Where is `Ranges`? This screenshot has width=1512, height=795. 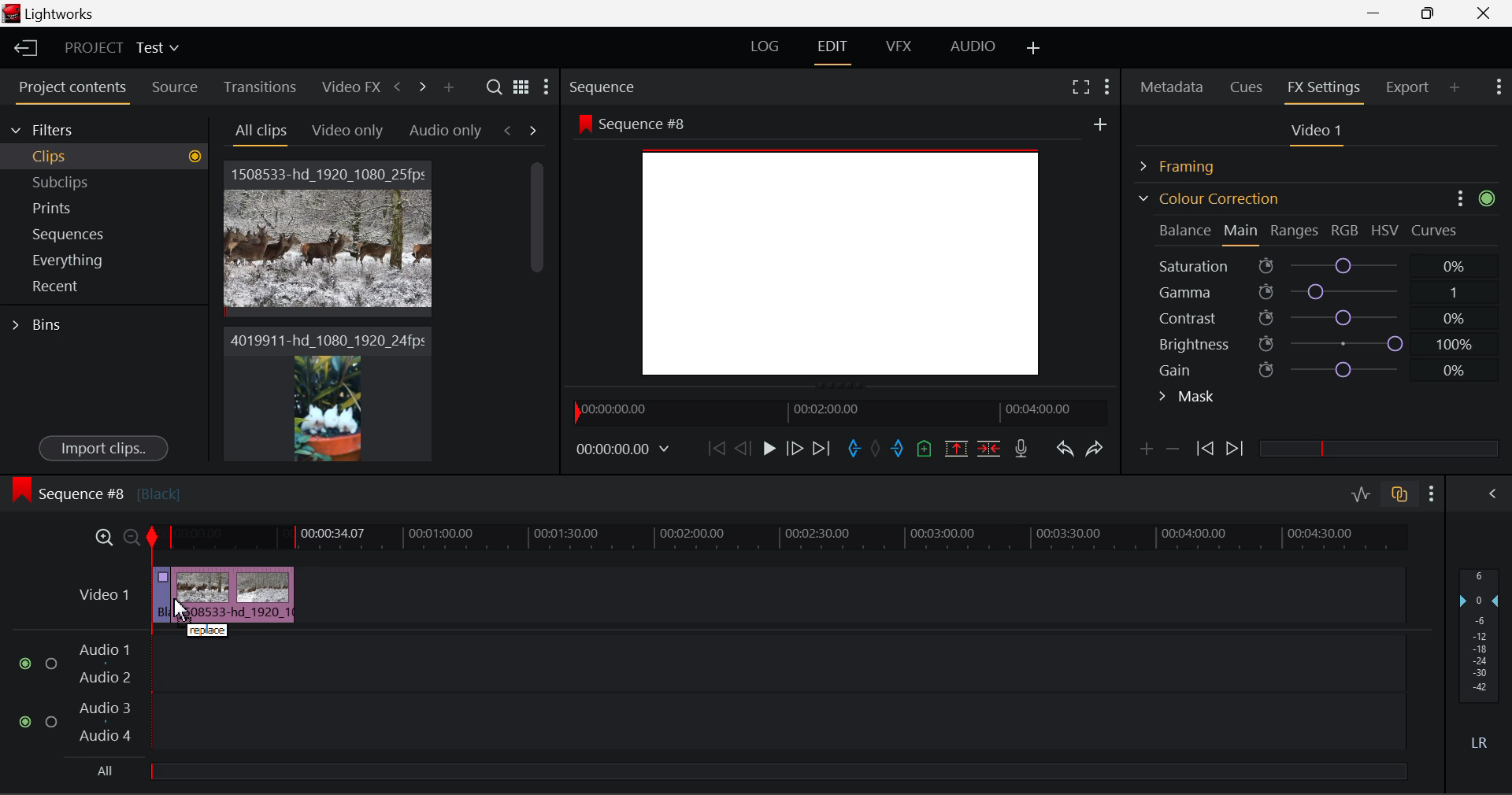 Ranges is located at coordinates (1295, 232).